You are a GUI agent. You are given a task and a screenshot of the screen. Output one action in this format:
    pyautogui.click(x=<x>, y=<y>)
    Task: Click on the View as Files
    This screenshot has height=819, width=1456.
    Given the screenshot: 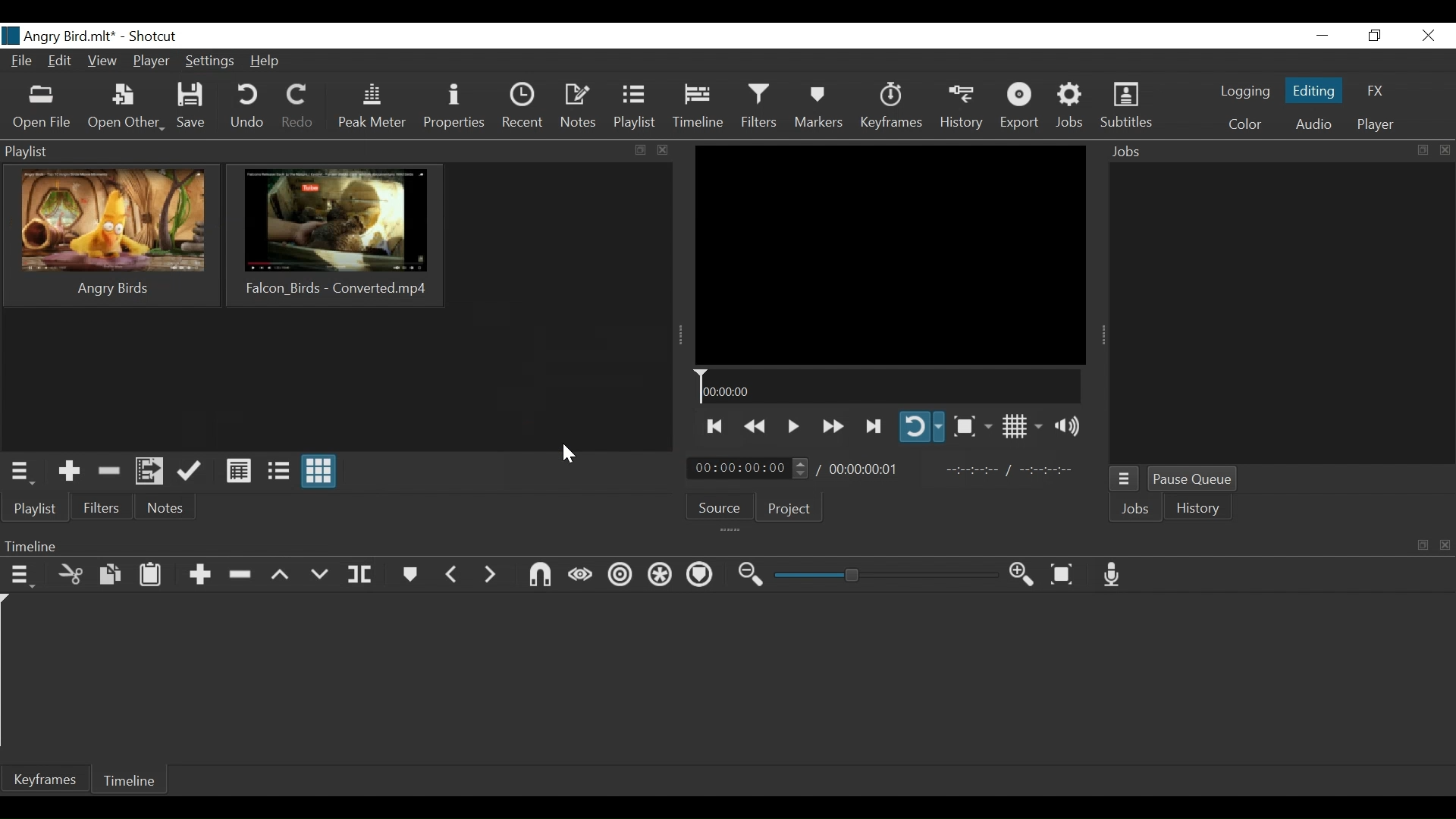 What is the action you would take?
    pyautogui.click(x=279, y=472)
    